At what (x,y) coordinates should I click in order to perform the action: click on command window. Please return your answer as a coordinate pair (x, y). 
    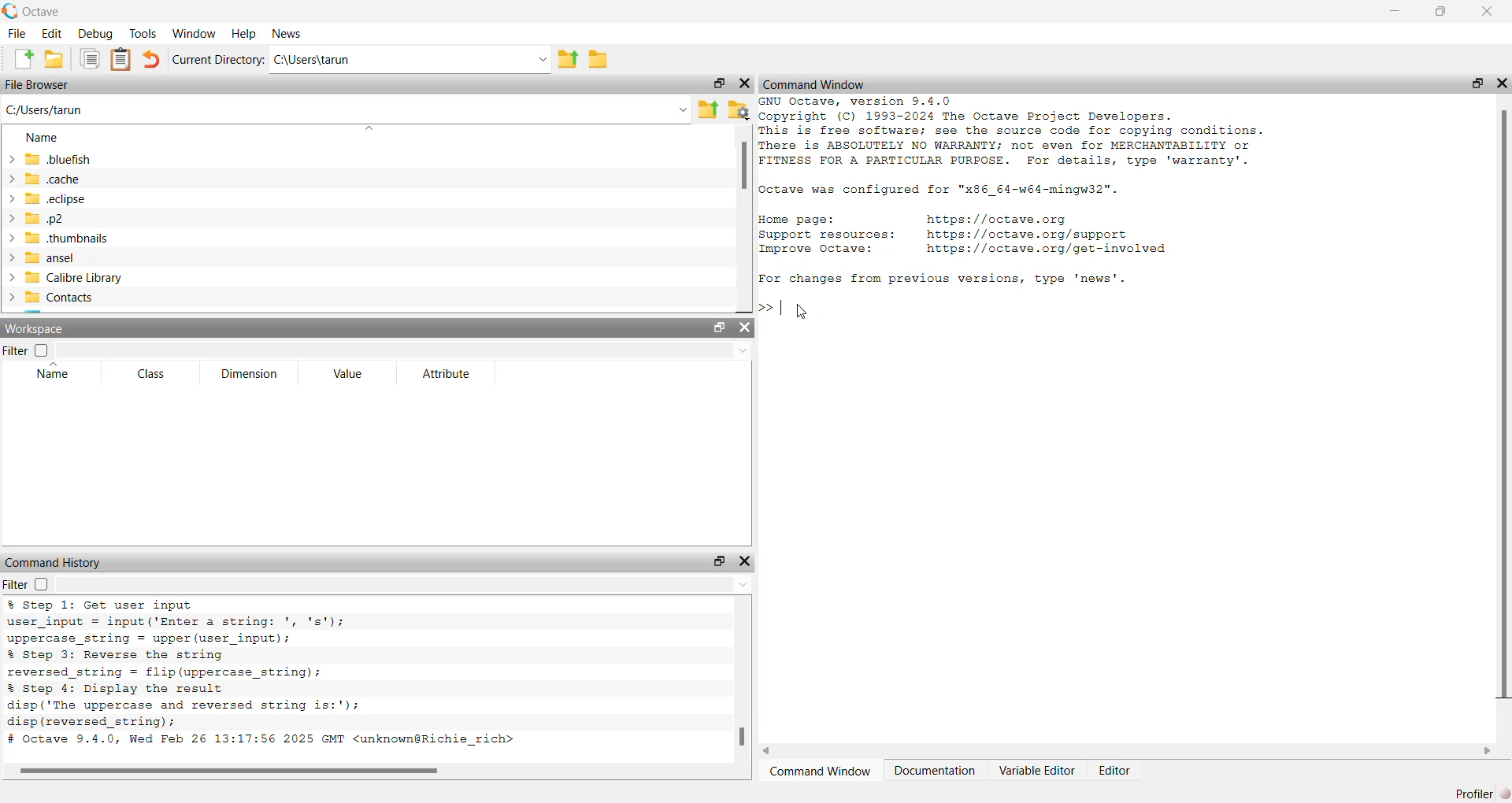
    Looking at the image, I should click on (822, 83).